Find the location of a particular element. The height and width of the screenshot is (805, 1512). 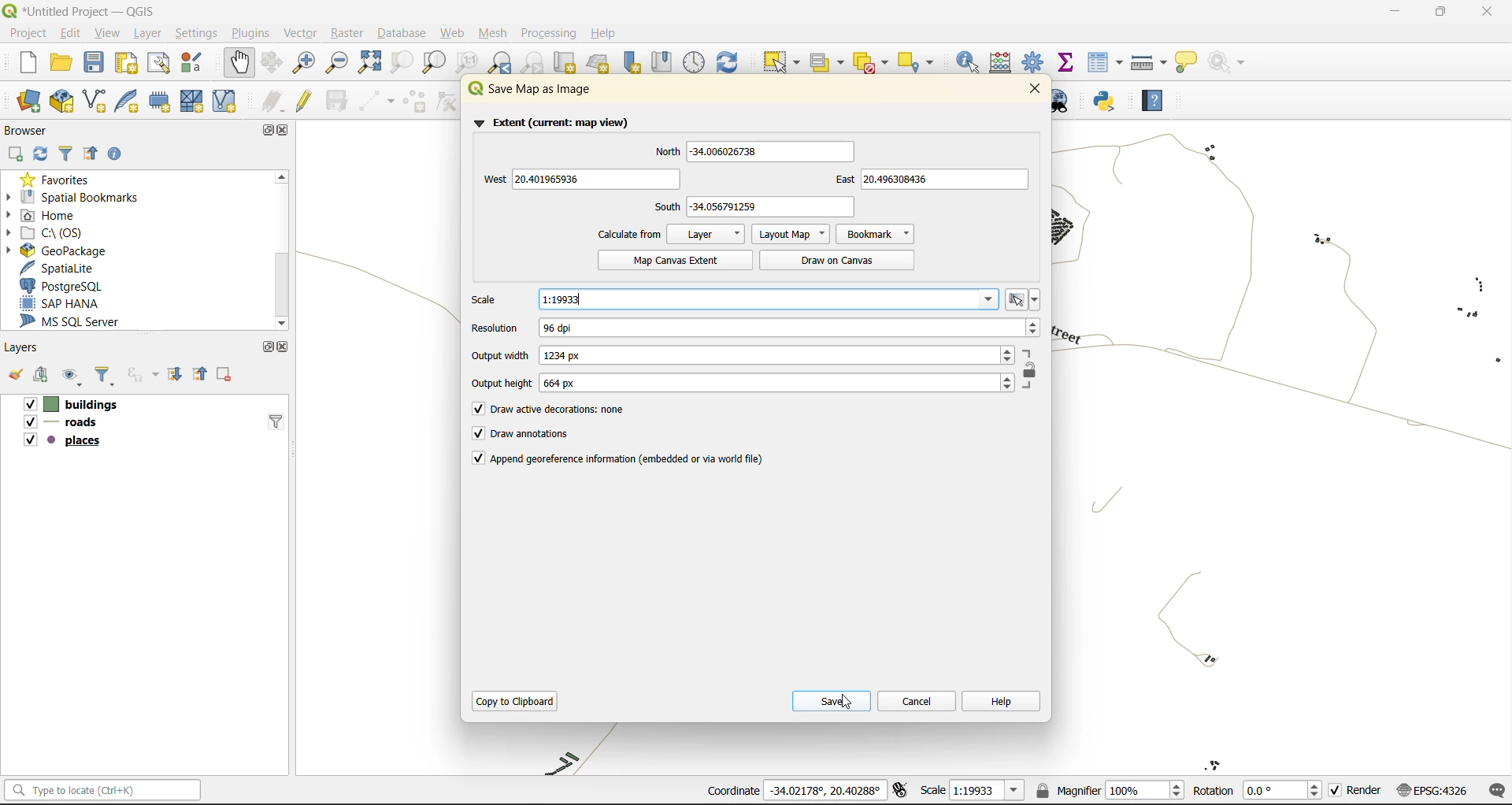

magnifier is located at coordinates (1110, 788).